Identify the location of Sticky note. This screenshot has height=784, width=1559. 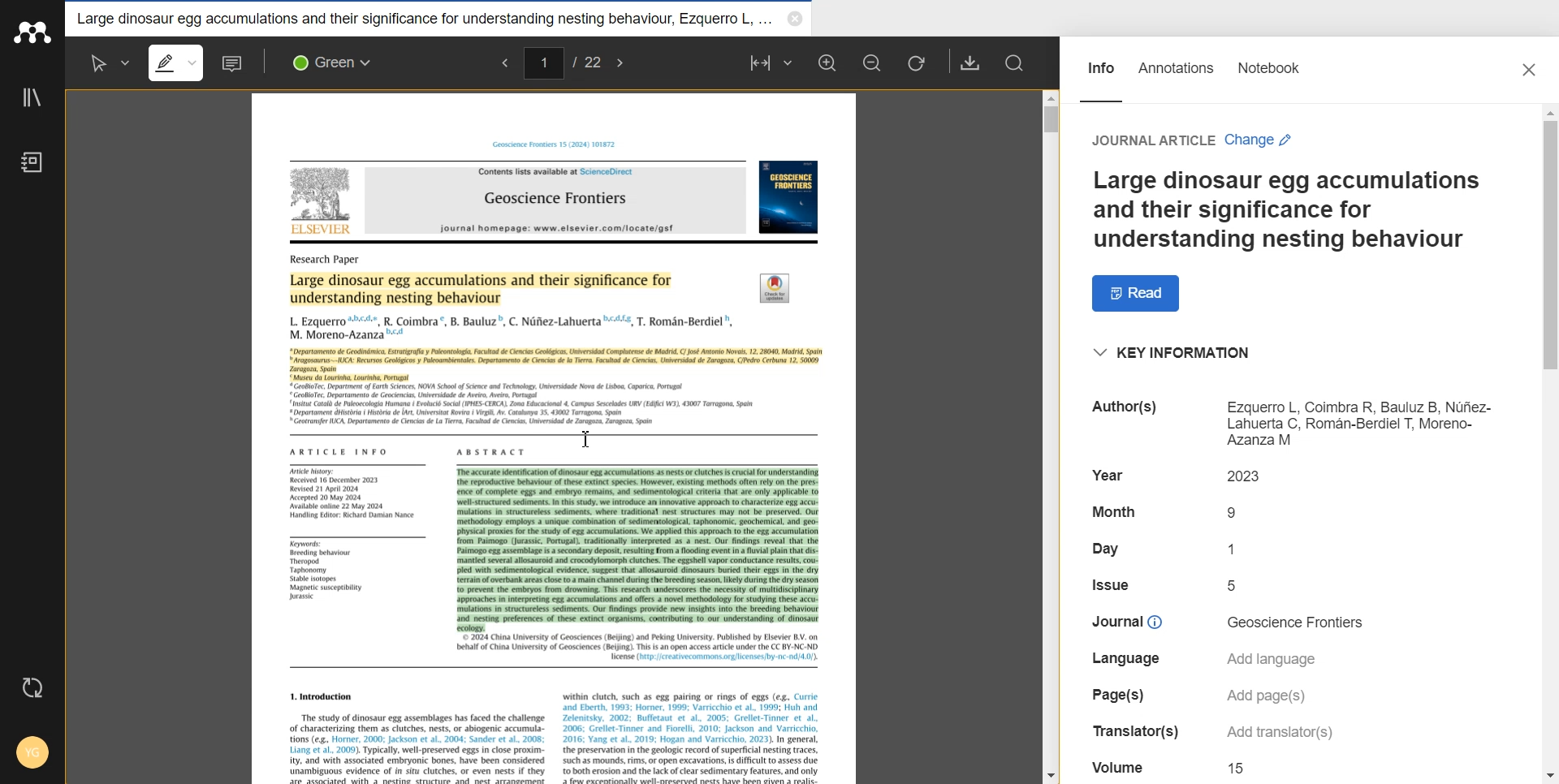
(234, 63).